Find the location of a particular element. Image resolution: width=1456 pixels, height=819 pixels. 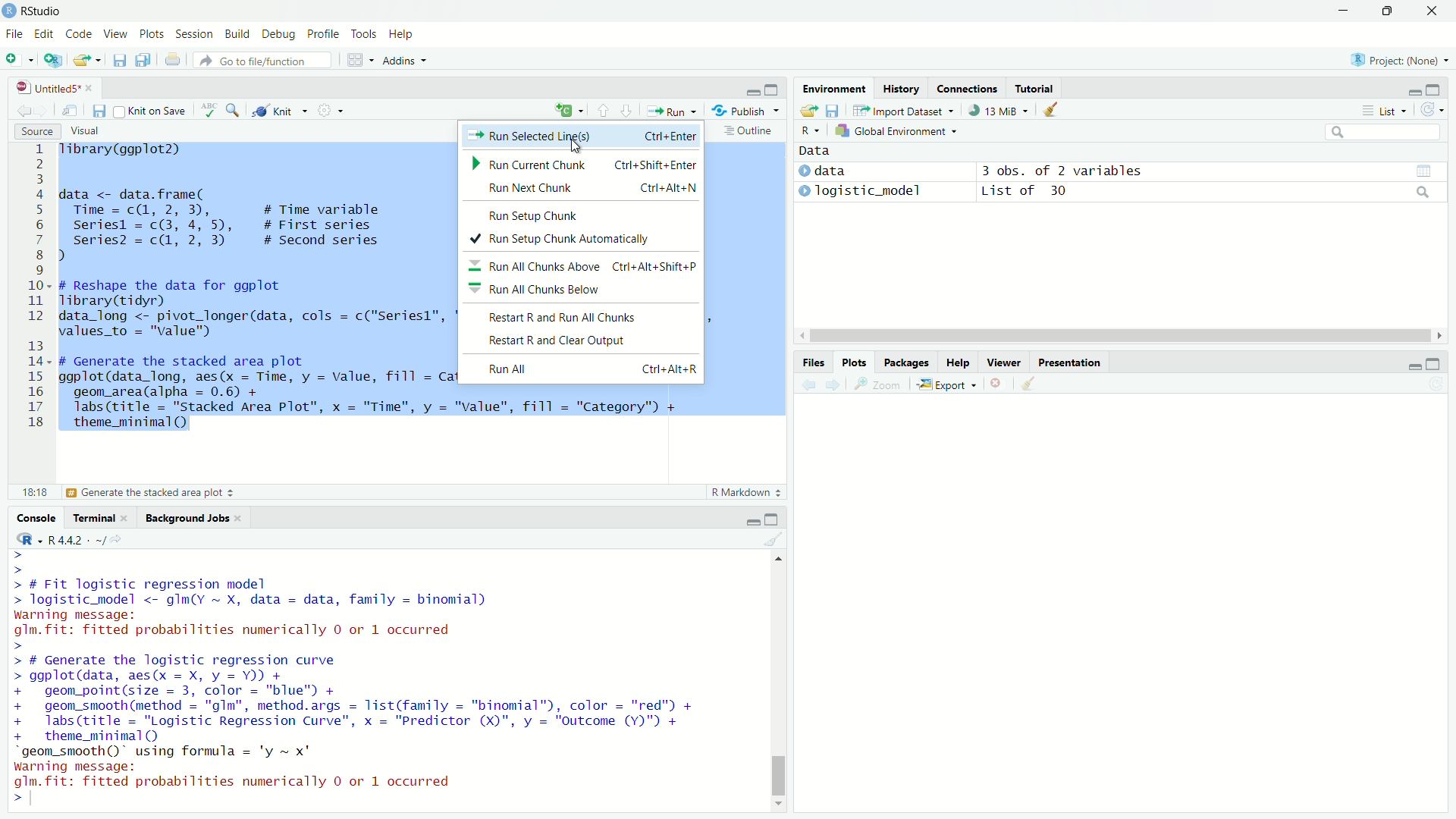

maximise is located at coordinates (1434, 88).